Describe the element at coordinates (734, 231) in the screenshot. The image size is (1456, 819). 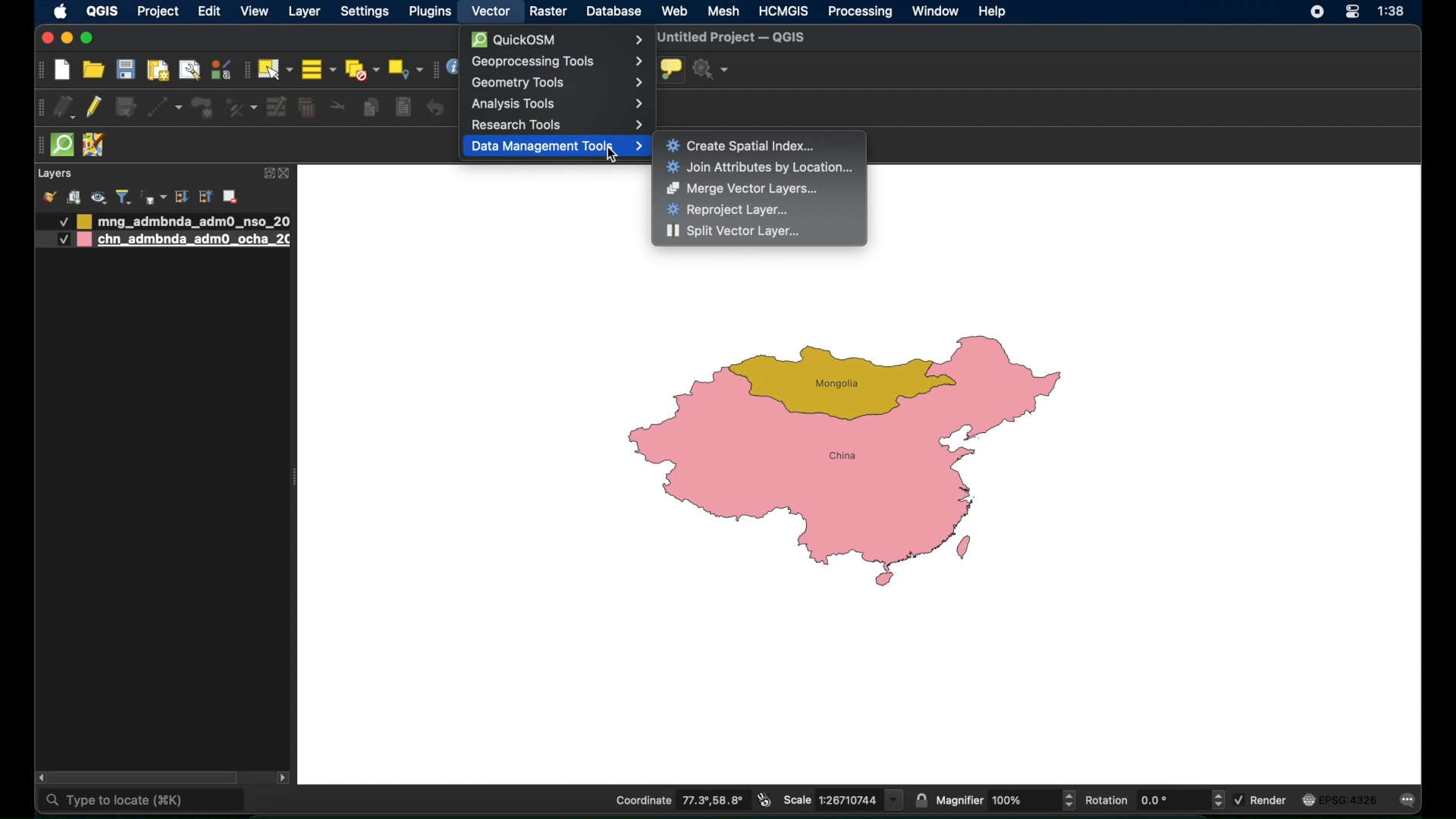
I see `Split Vector Layer...` at that location.